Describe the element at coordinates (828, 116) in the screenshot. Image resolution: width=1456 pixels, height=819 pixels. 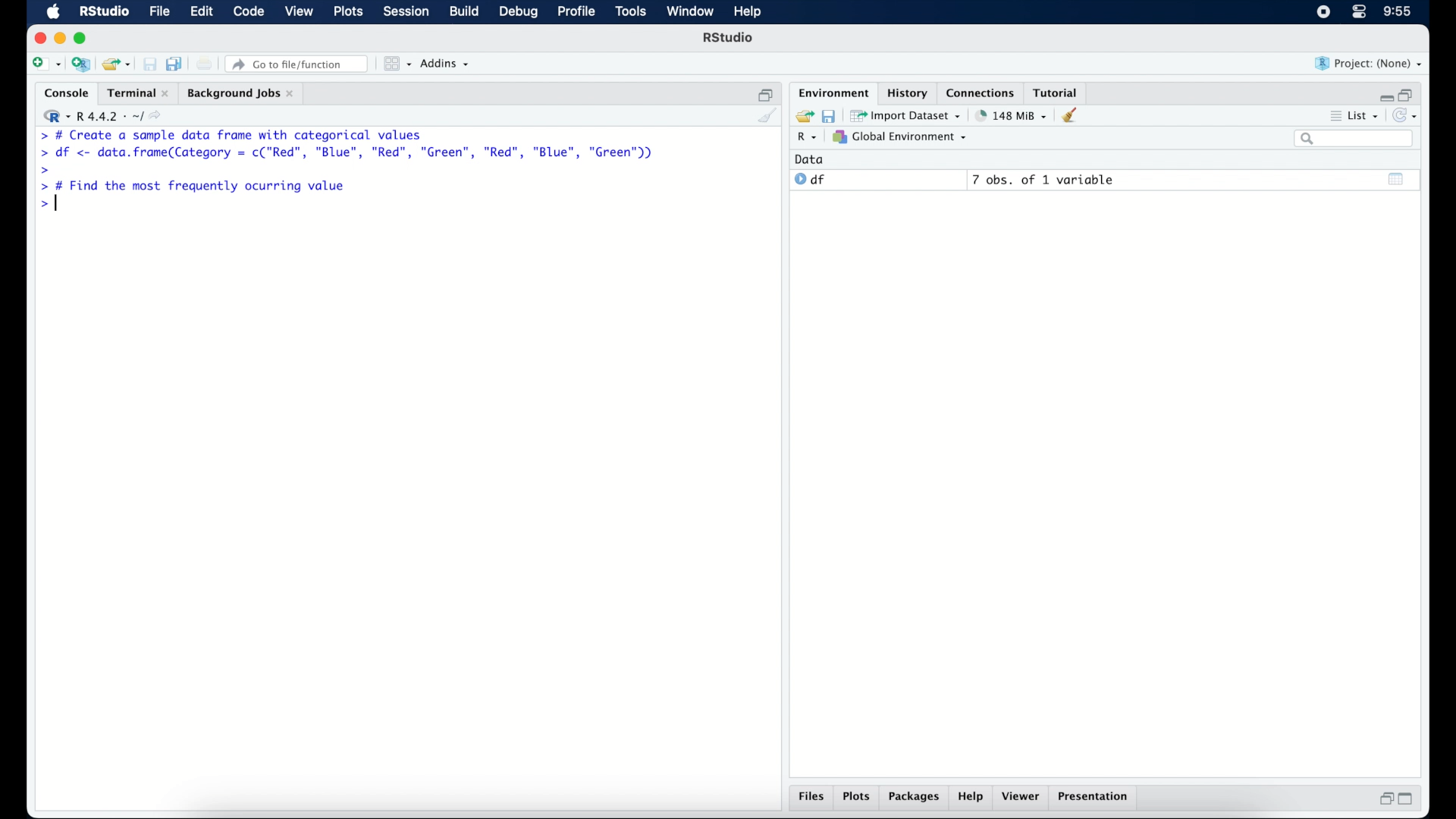
I see `save` at that location.